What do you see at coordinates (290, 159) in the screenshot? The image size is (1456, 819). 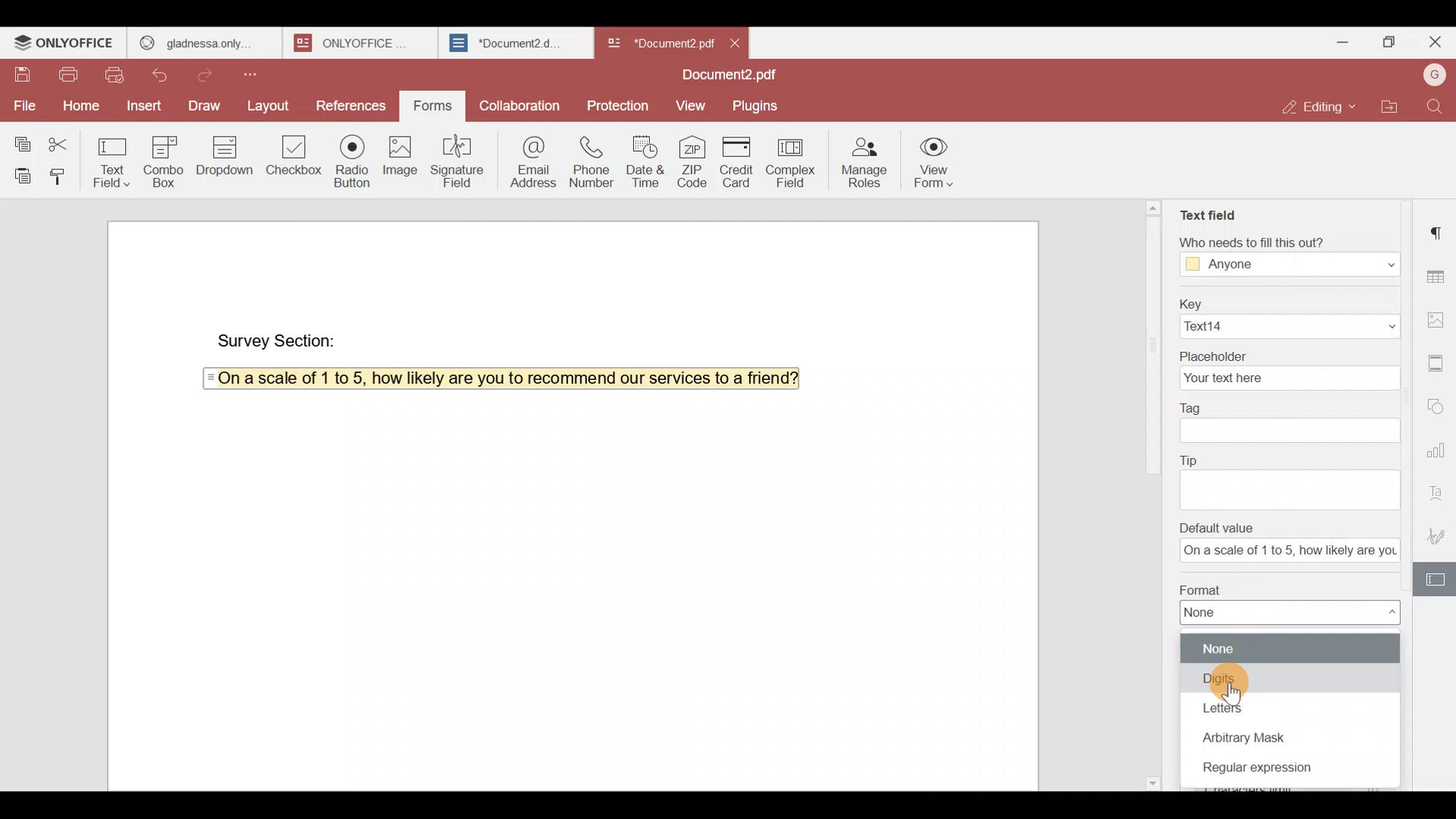 I see `Checkbox` at bounding box center [290, 159].